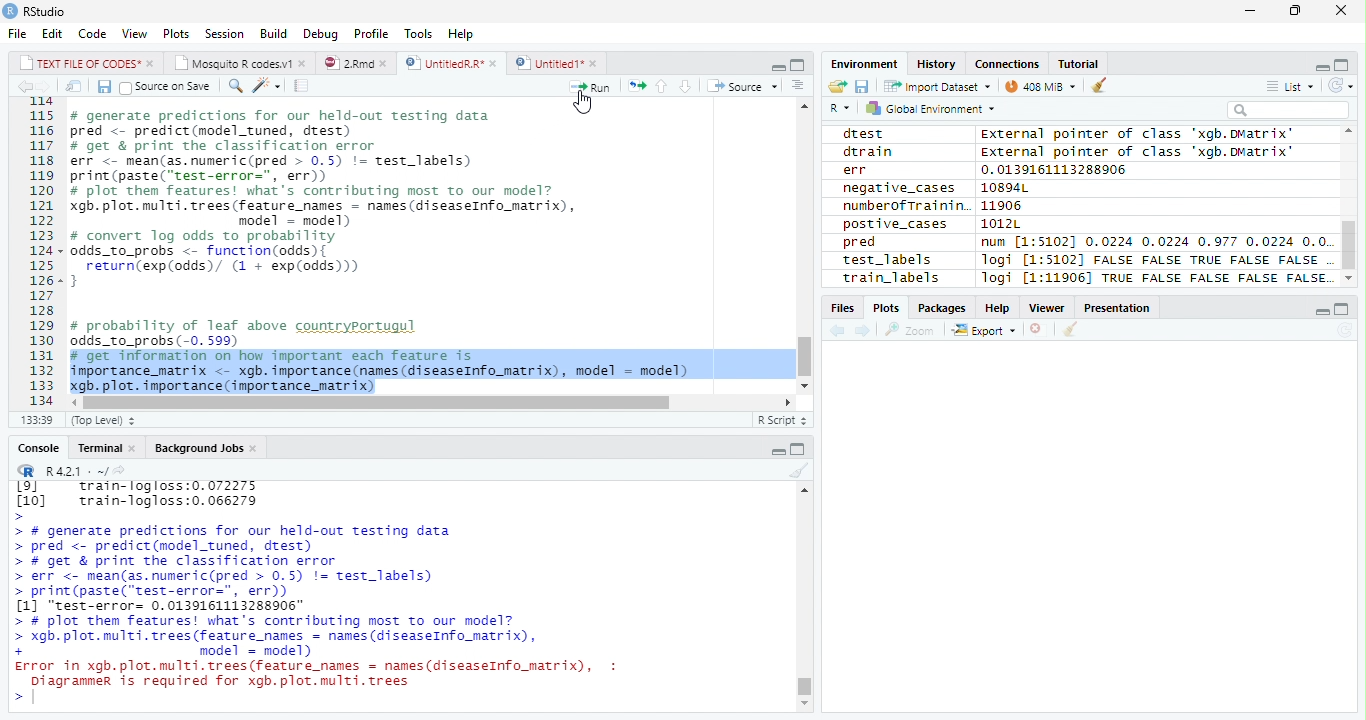 The height and width of the screenshot is (720, 1366). I want to click on Coding Tools, so click(266, 84).